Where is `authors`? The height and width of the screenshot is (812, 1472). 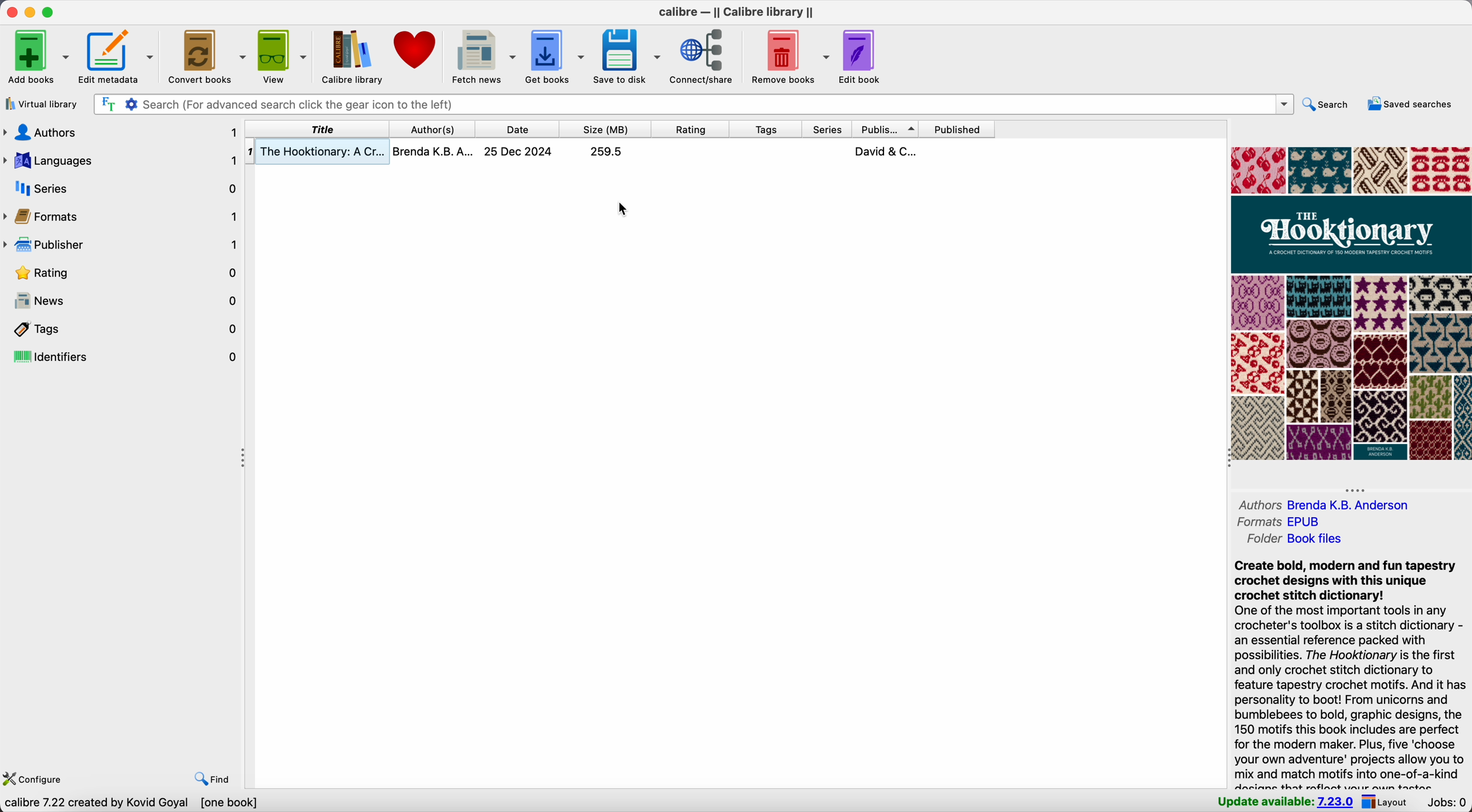
authors is located at coordinates (121, 132).